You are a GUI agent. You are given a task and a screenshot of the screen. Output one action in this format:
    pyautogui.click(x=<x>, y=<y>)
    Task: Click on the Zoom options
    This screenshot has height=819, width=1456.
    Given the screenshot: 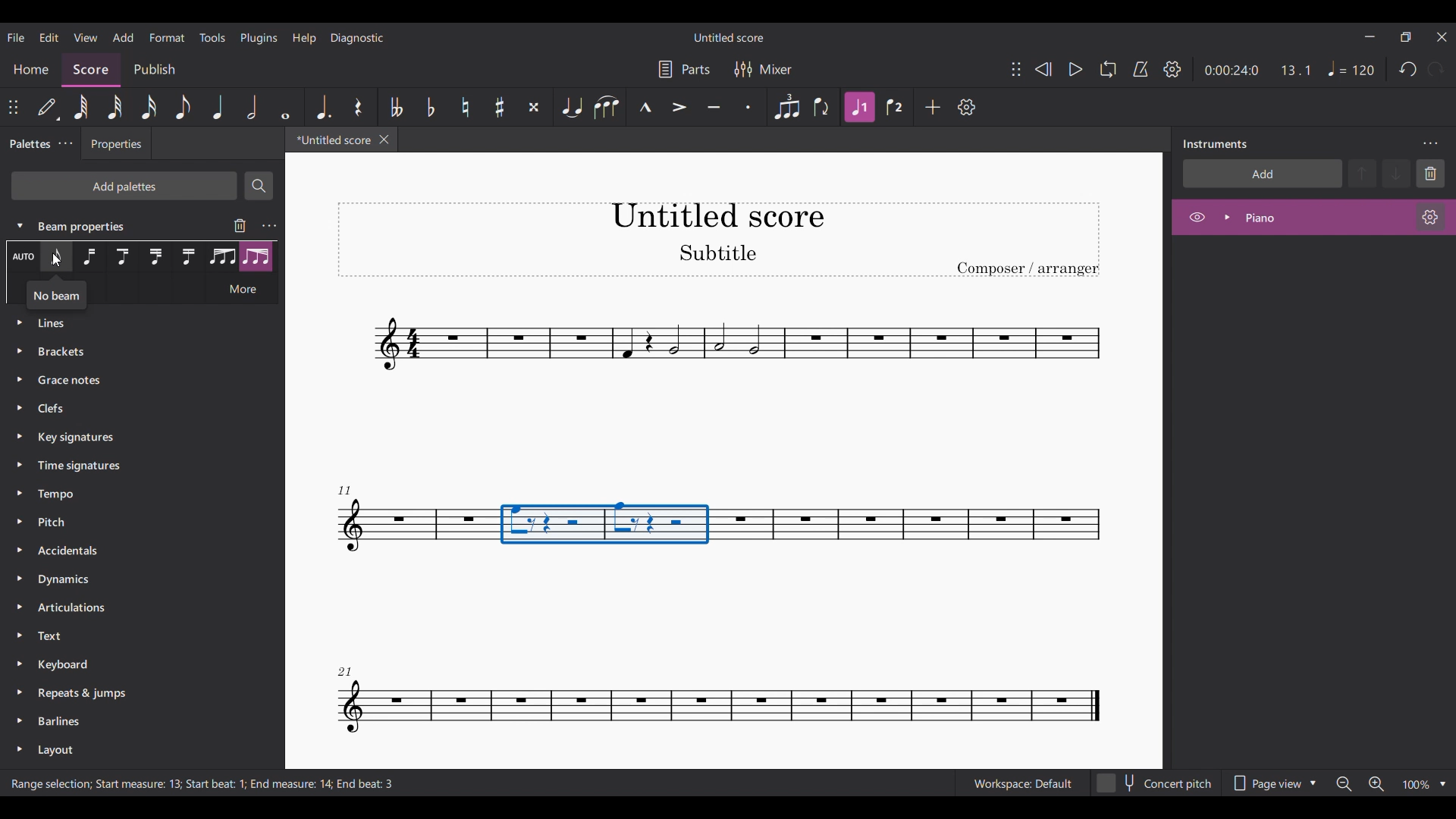 What is the action you would take?
    pyautogui.click(x=1443, y=784)
    